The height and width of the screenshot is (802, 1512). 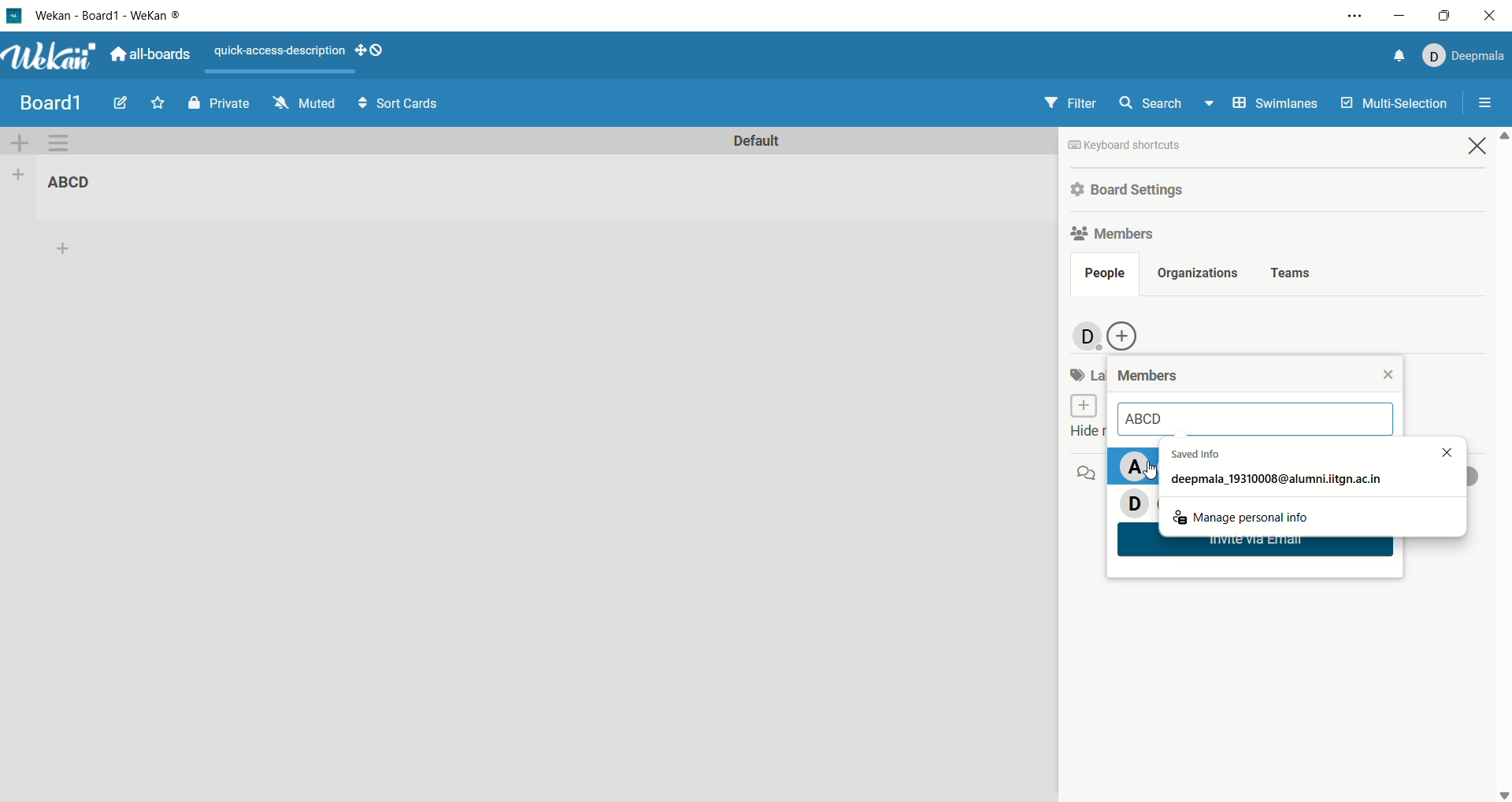 I want to click on cursor, so click(x=1154, y=477).